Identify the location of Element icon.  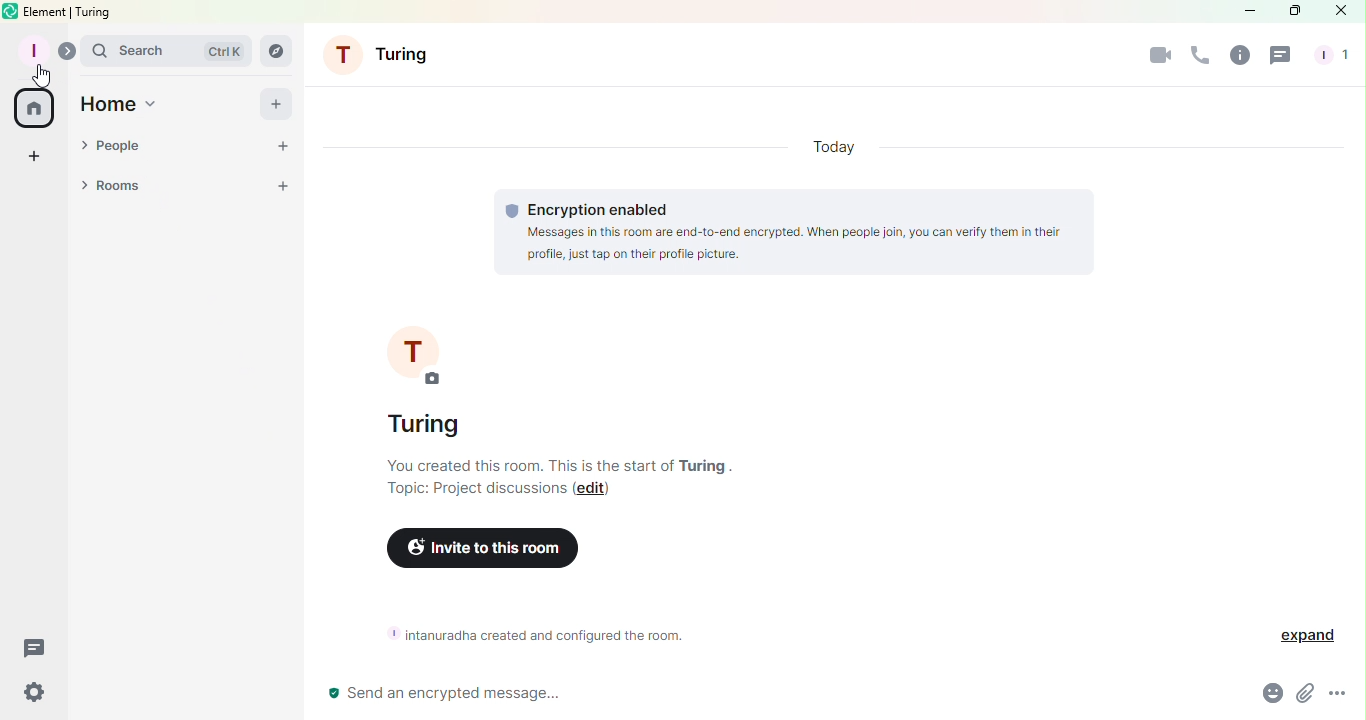
(11, 11).